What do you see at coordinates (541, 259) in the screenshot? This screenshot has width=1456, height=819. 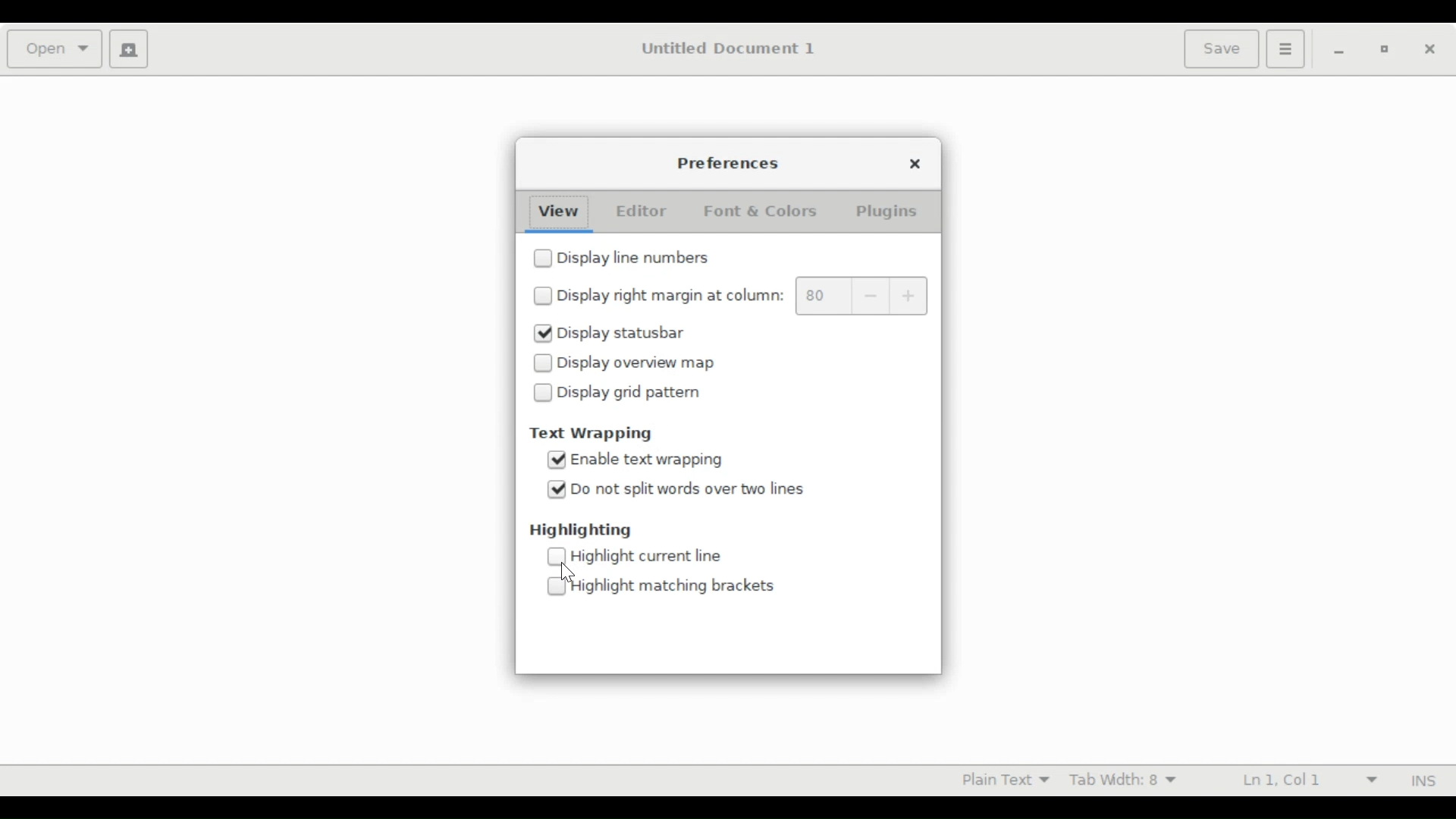 I see `checkbox` at bounding box center [541, 259].